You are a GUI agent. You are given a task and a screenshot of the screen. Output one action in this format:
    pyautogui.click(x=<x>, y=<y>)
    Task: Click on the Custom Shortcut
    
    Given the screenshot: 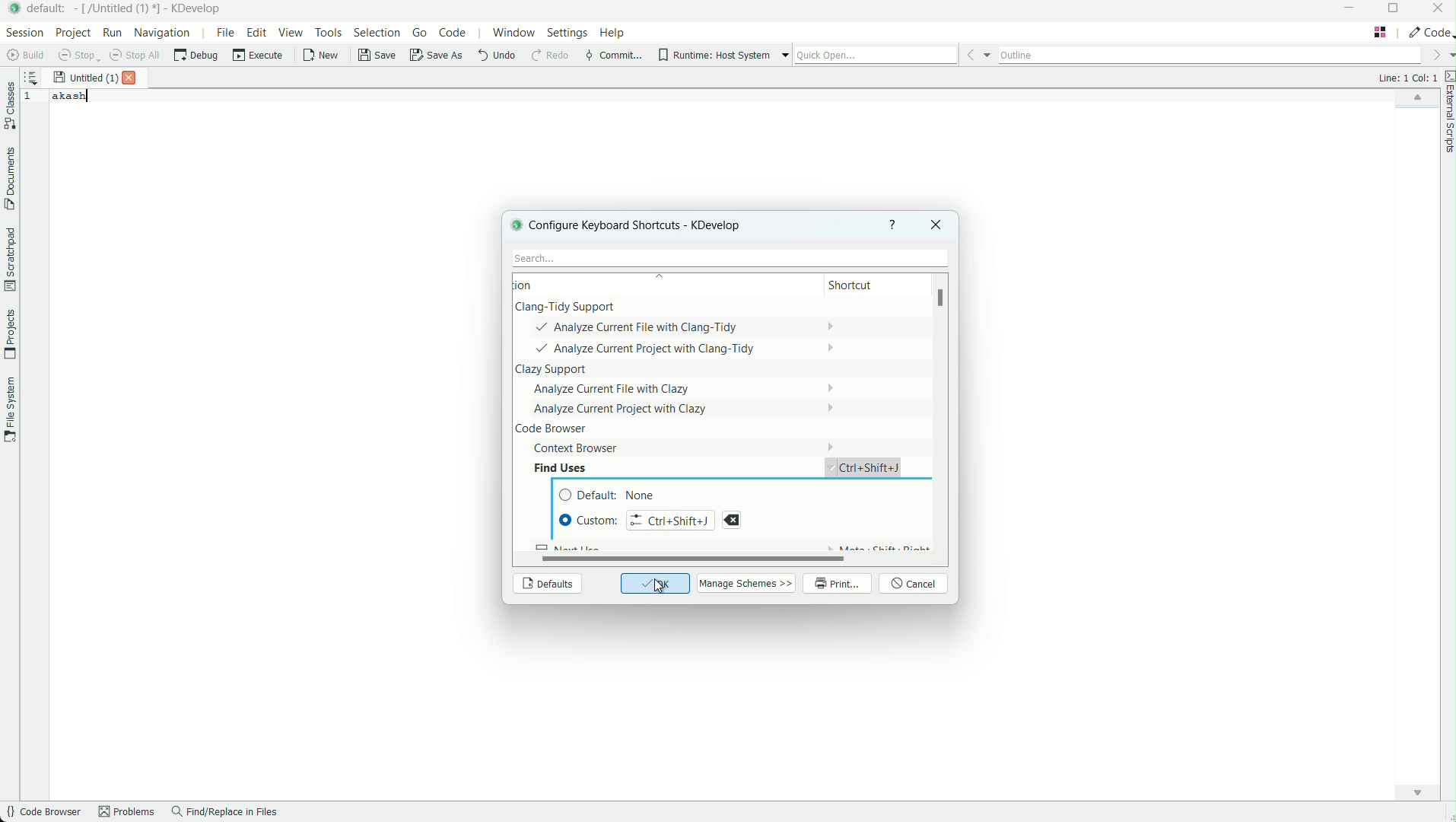 What is the action you would take?
    pyautogui.click(x=590, y=520)
    